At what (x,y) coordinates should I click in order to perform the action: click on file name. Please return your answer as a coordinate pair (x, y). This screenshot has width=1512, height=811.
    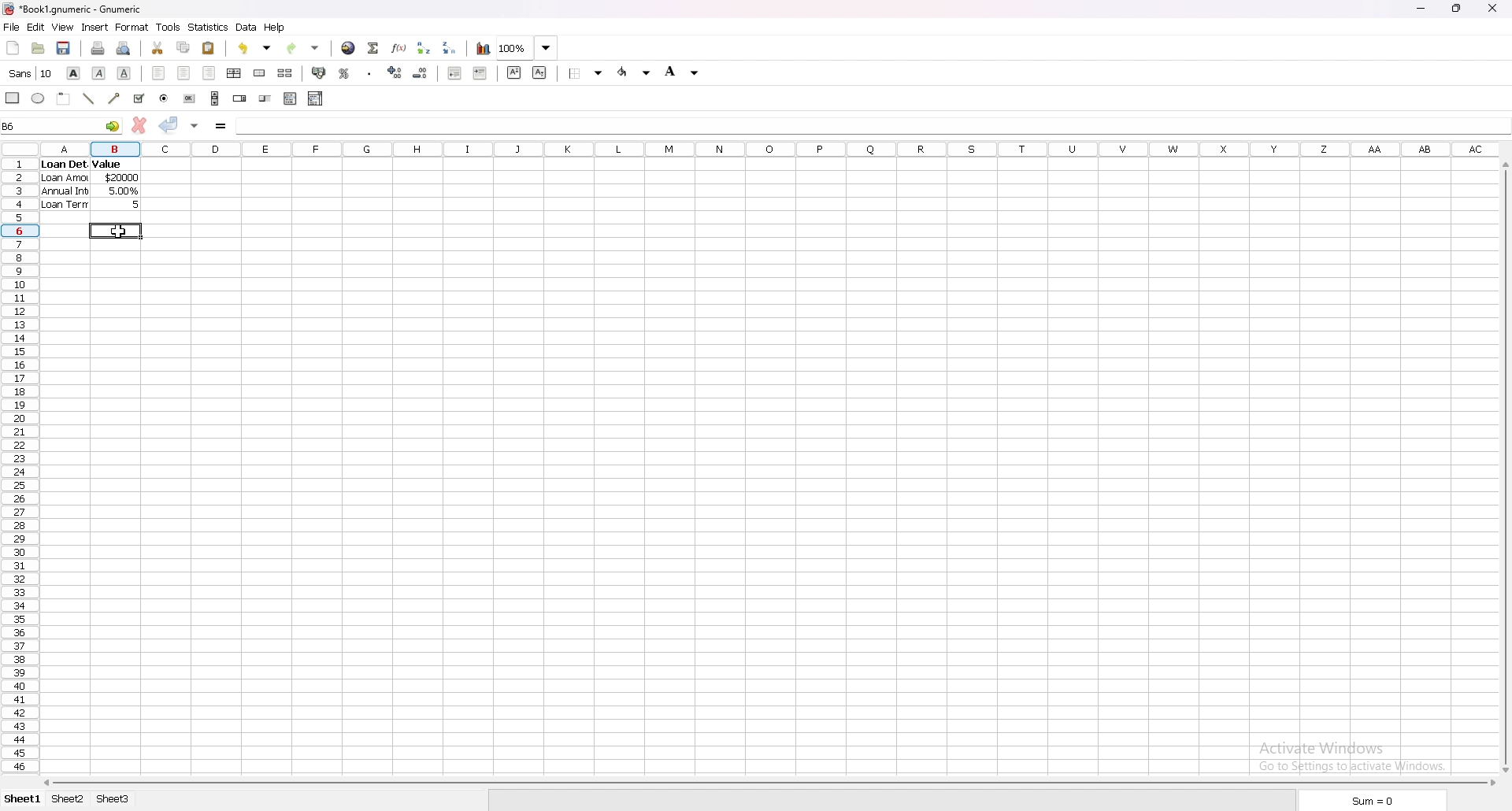
    Looking at the image, I should click on (74, 9).